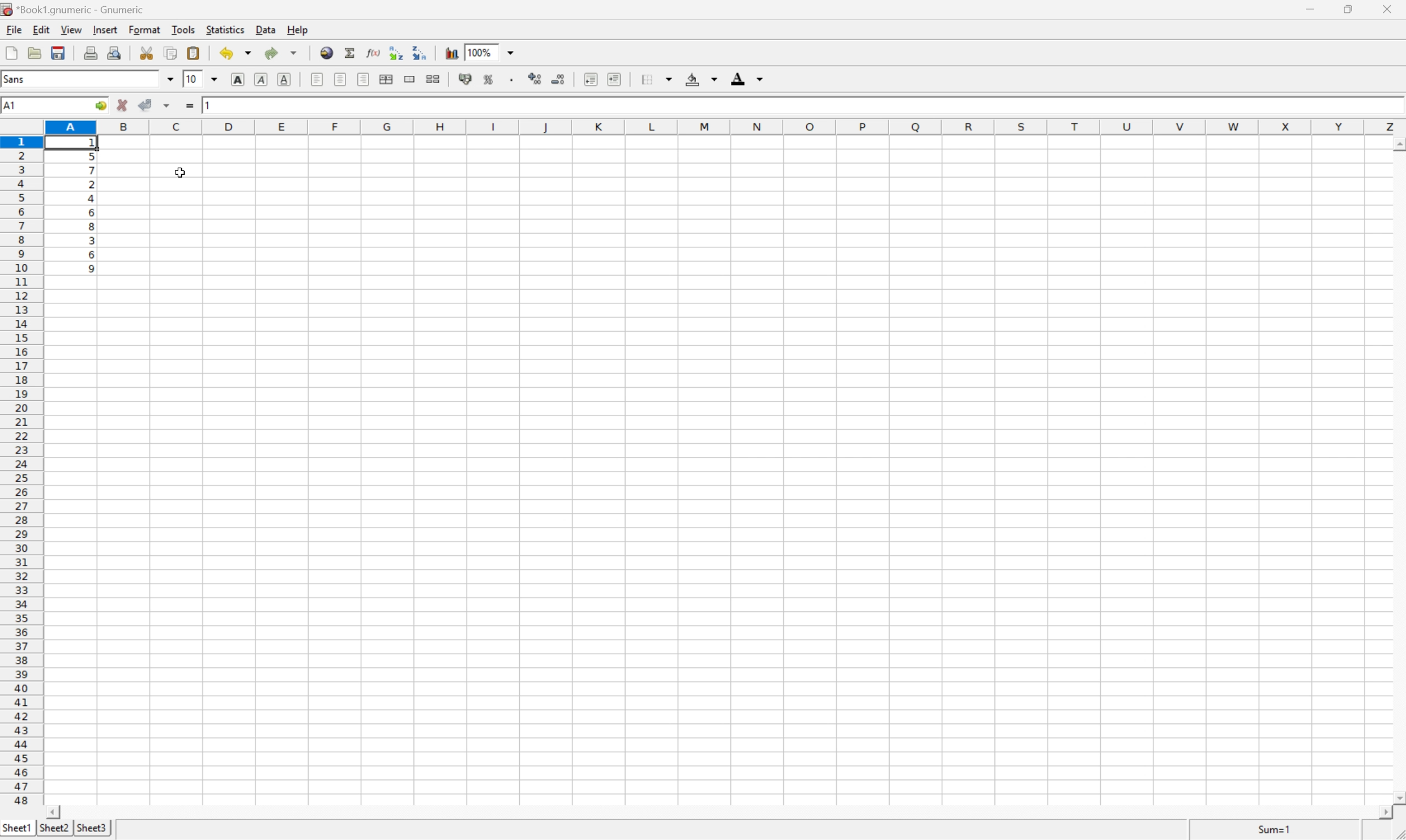  Describe the element at coordinates (1388, 8) in the screenshot. I see `close` at that location.